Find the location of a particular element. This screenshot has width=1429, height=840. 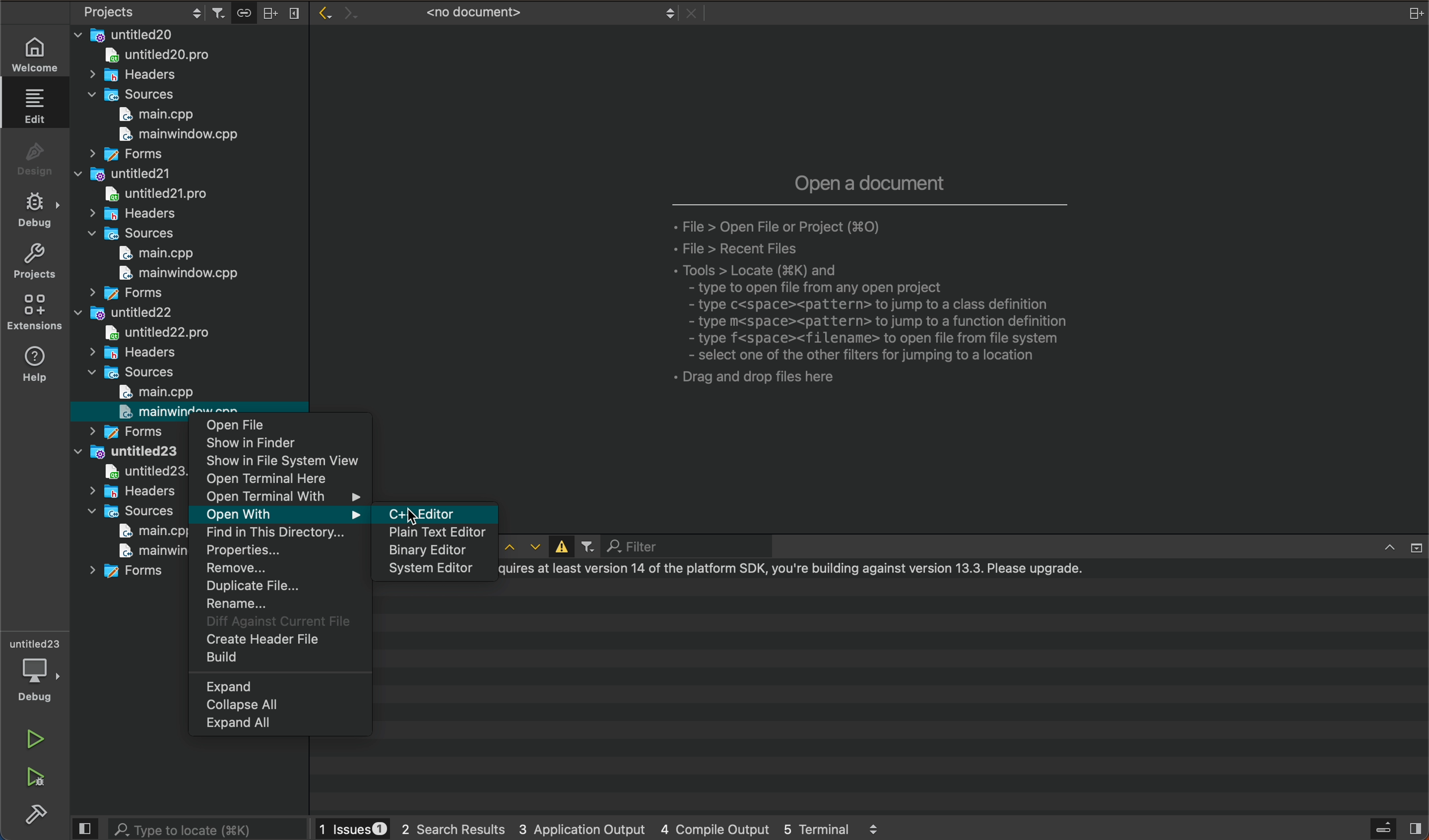

edit is located at coordinates (36, 109).